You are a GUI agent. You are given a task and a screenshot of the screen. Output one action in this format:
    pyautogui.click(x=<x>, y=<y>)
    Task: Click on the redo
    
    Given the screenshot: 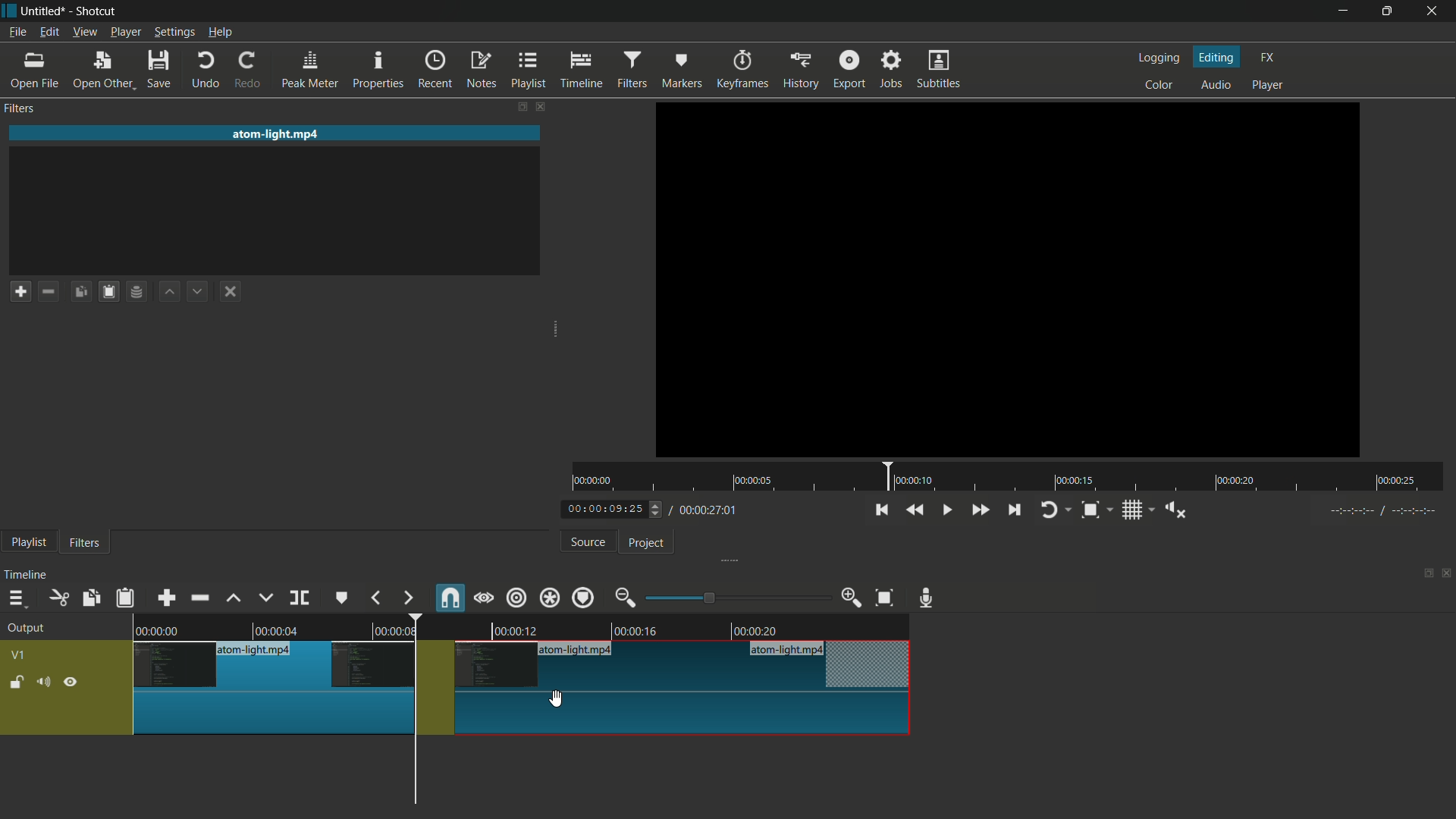 What is the action you would take?
    pyautogui.click(x=251, y=71)
    